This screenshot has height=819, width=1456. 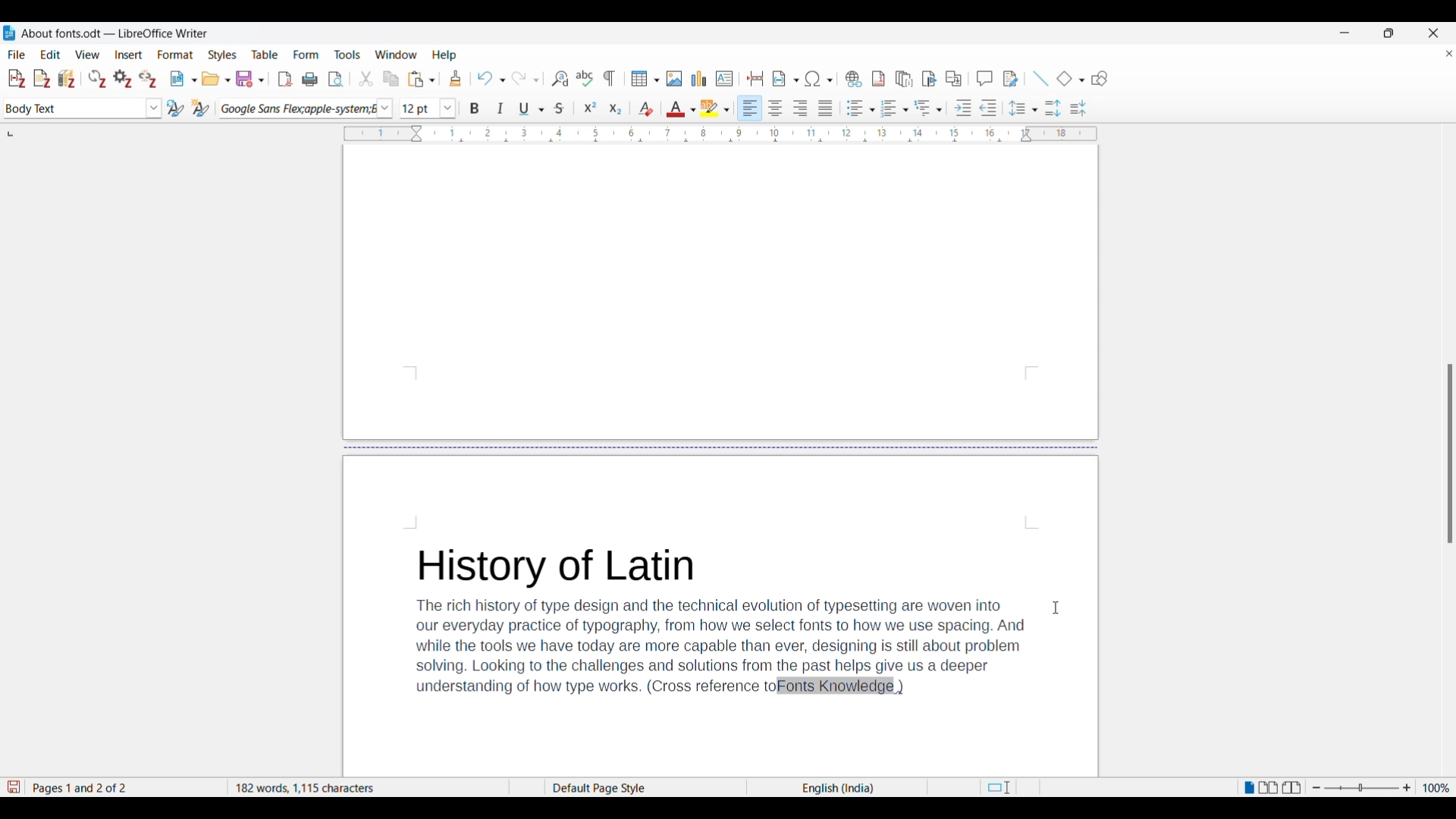 I want to click on Find and replace, so click(x=560, y=78).